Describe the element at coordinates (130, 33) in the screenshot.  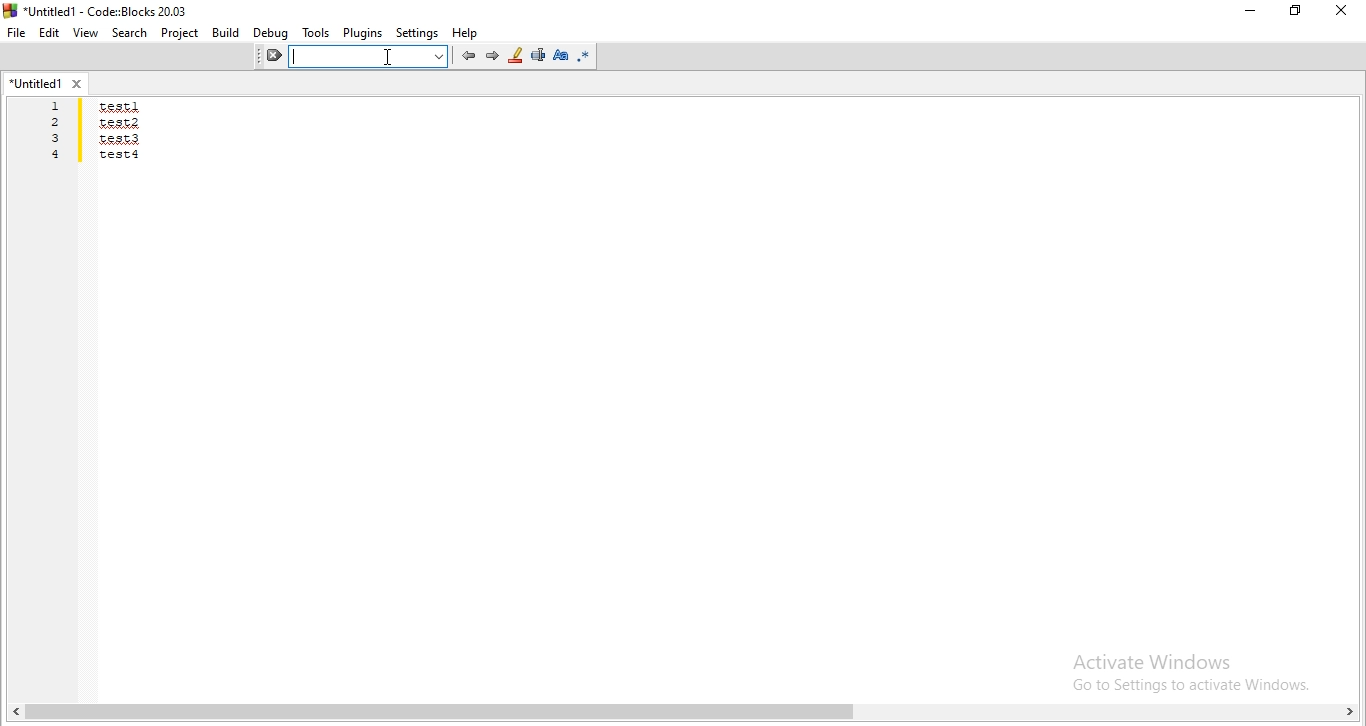
I see `Search` at that location.